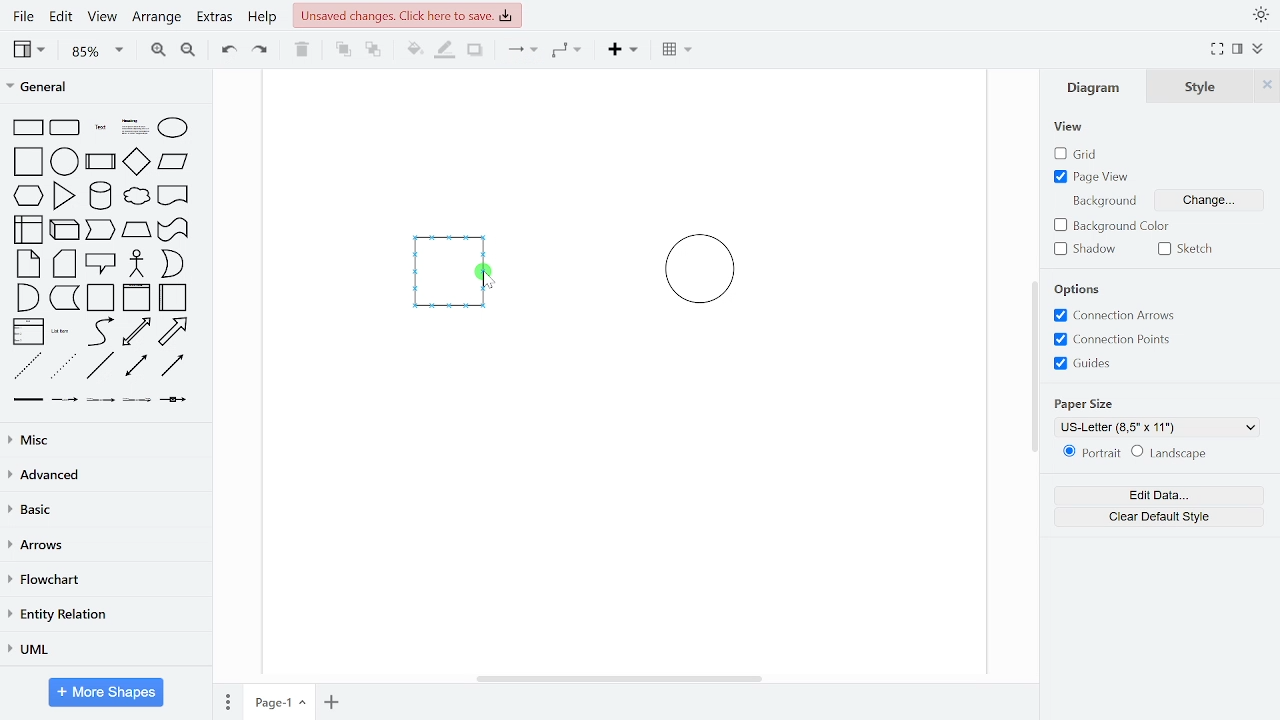  What do you see at coordinates (27, 400) in the screenshot?
I see `link` at bounding box center [27, 400].